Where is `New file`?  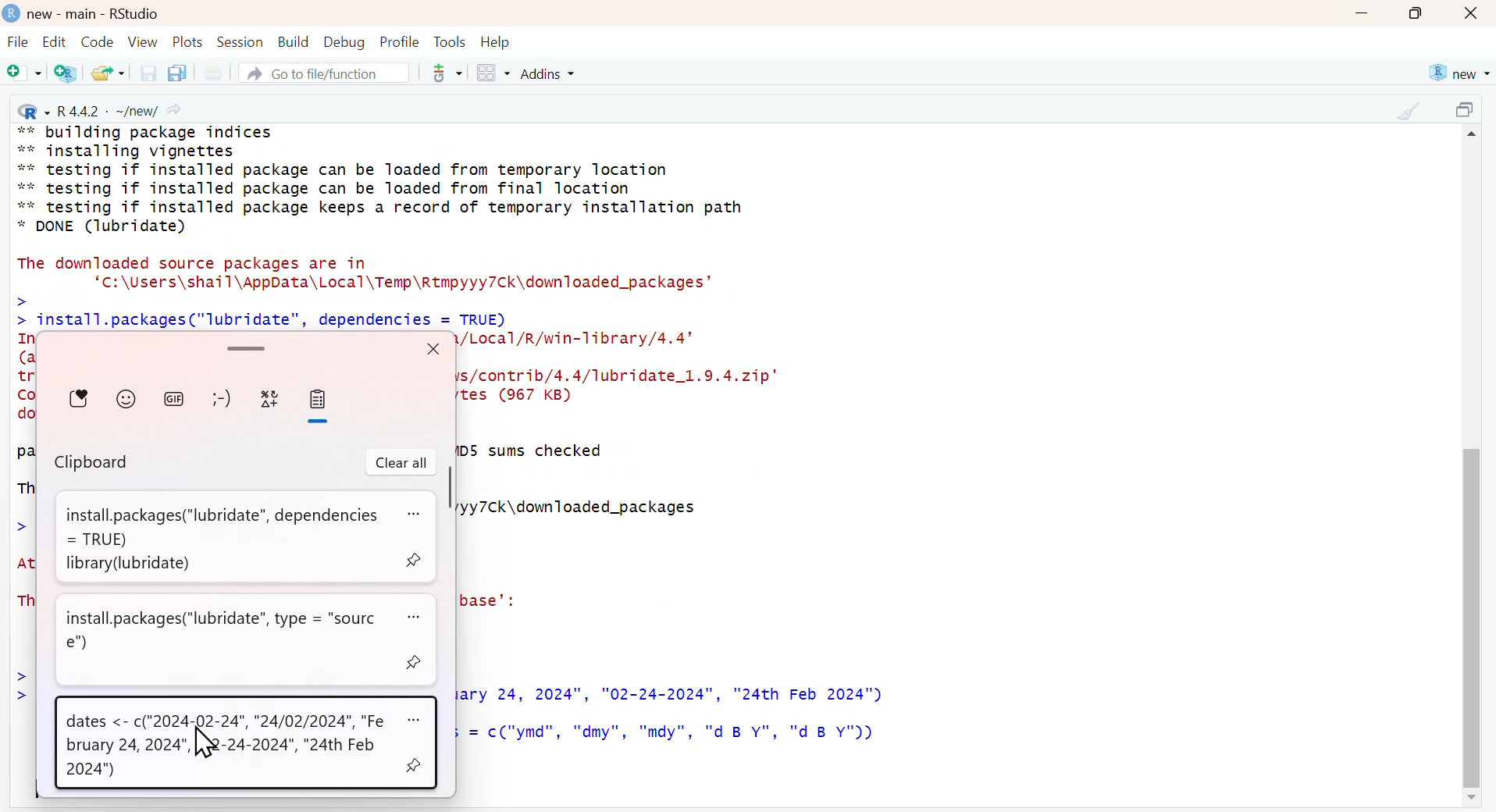
New file is located at coordinates (25, 74).